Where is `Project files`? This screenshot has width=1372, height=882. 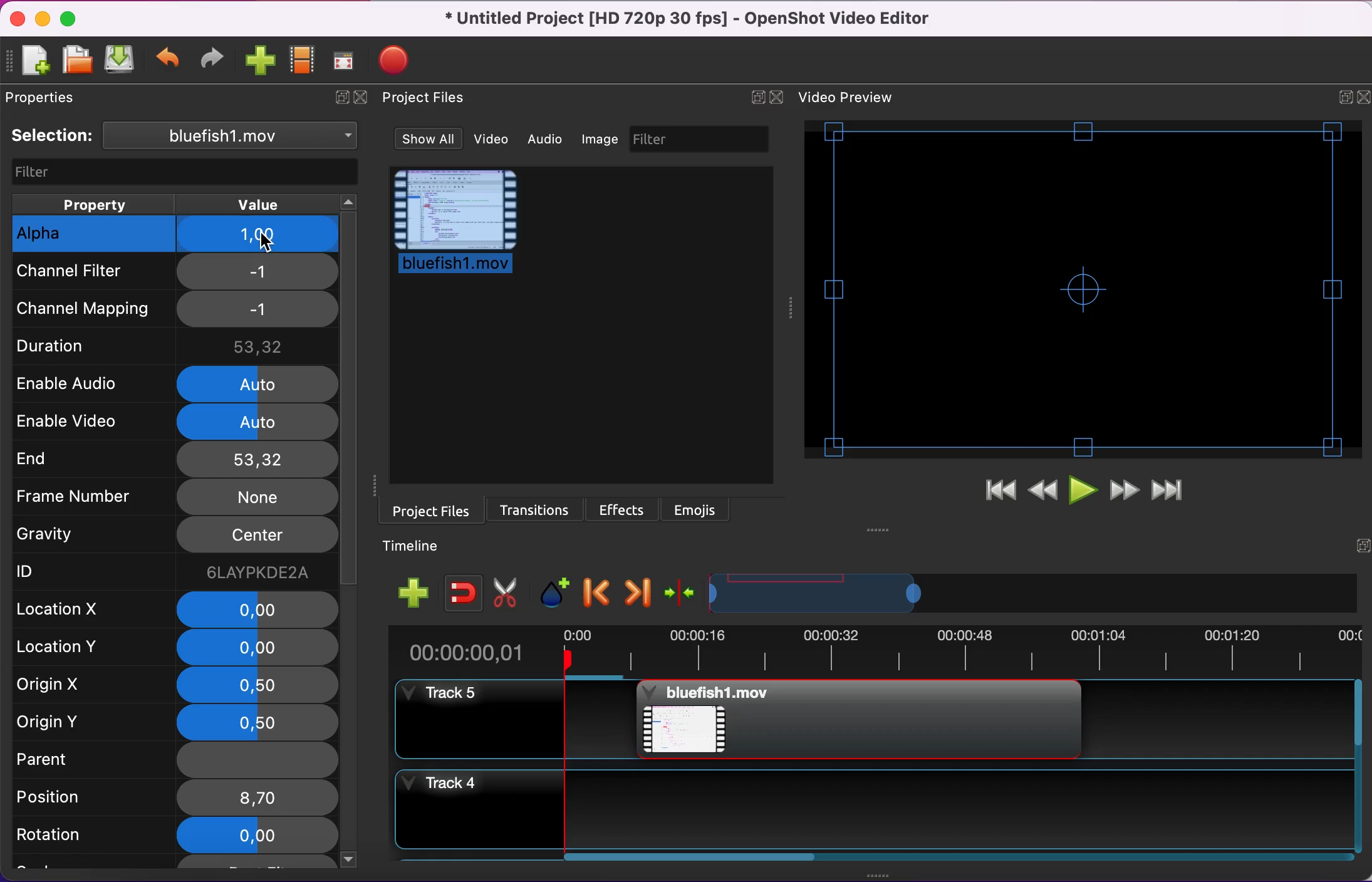 Project files is located at coordinates (422, 97).